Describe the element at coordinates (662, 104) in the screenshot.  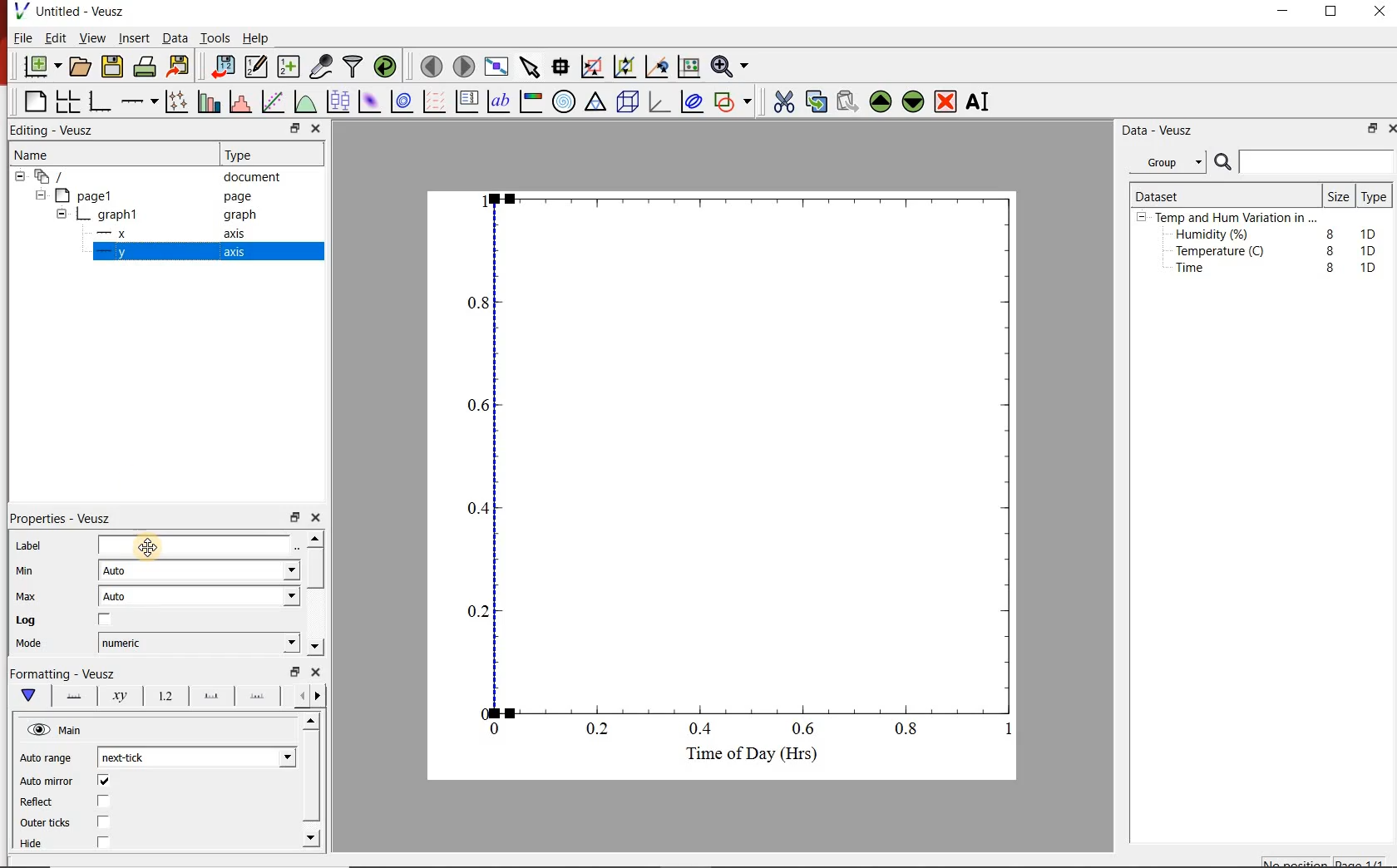
I see `3d graph` at that location.